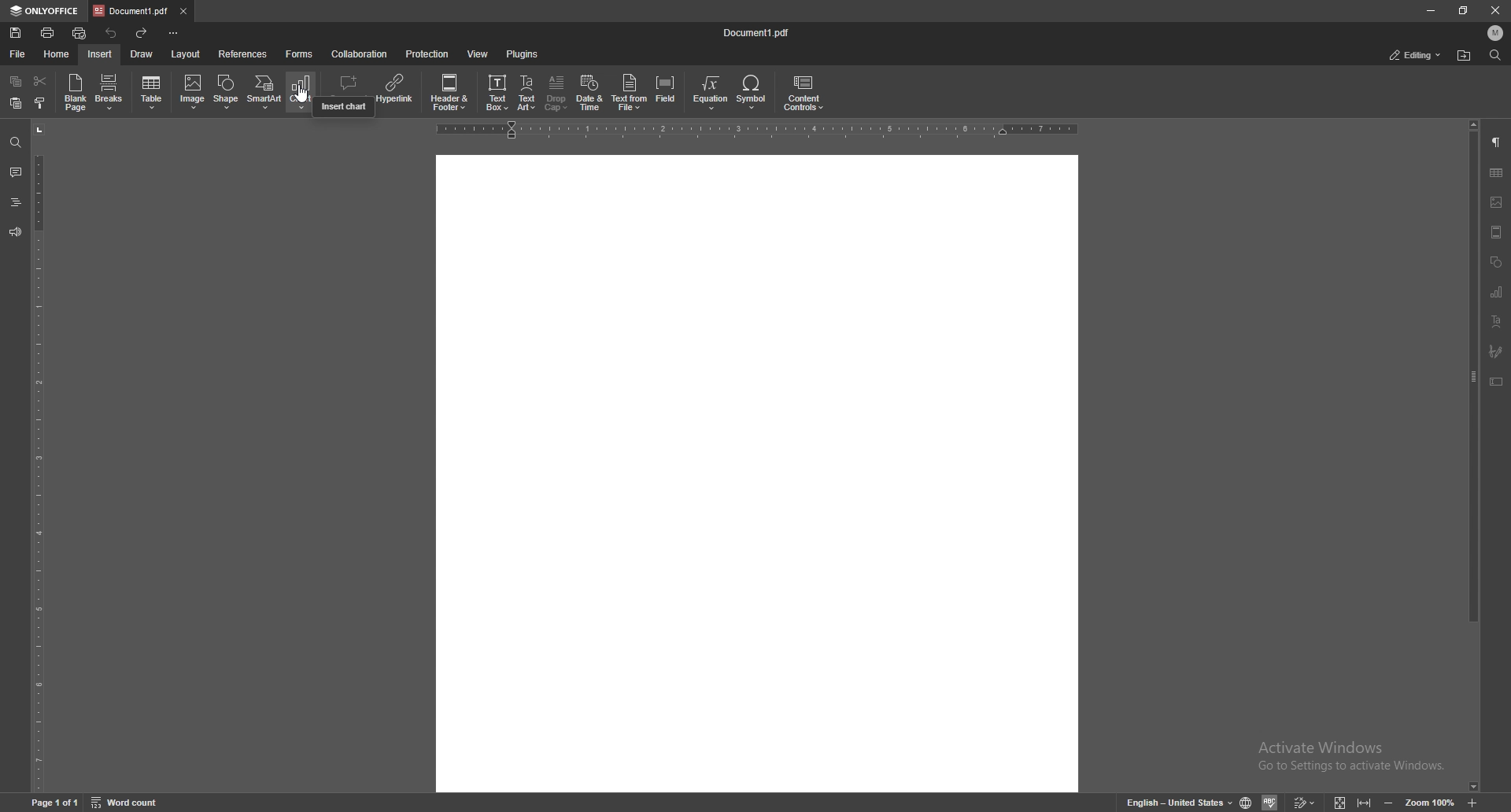  Describe the element at coordinates (14, 82) in the screenshot. I see `copy` at that location.